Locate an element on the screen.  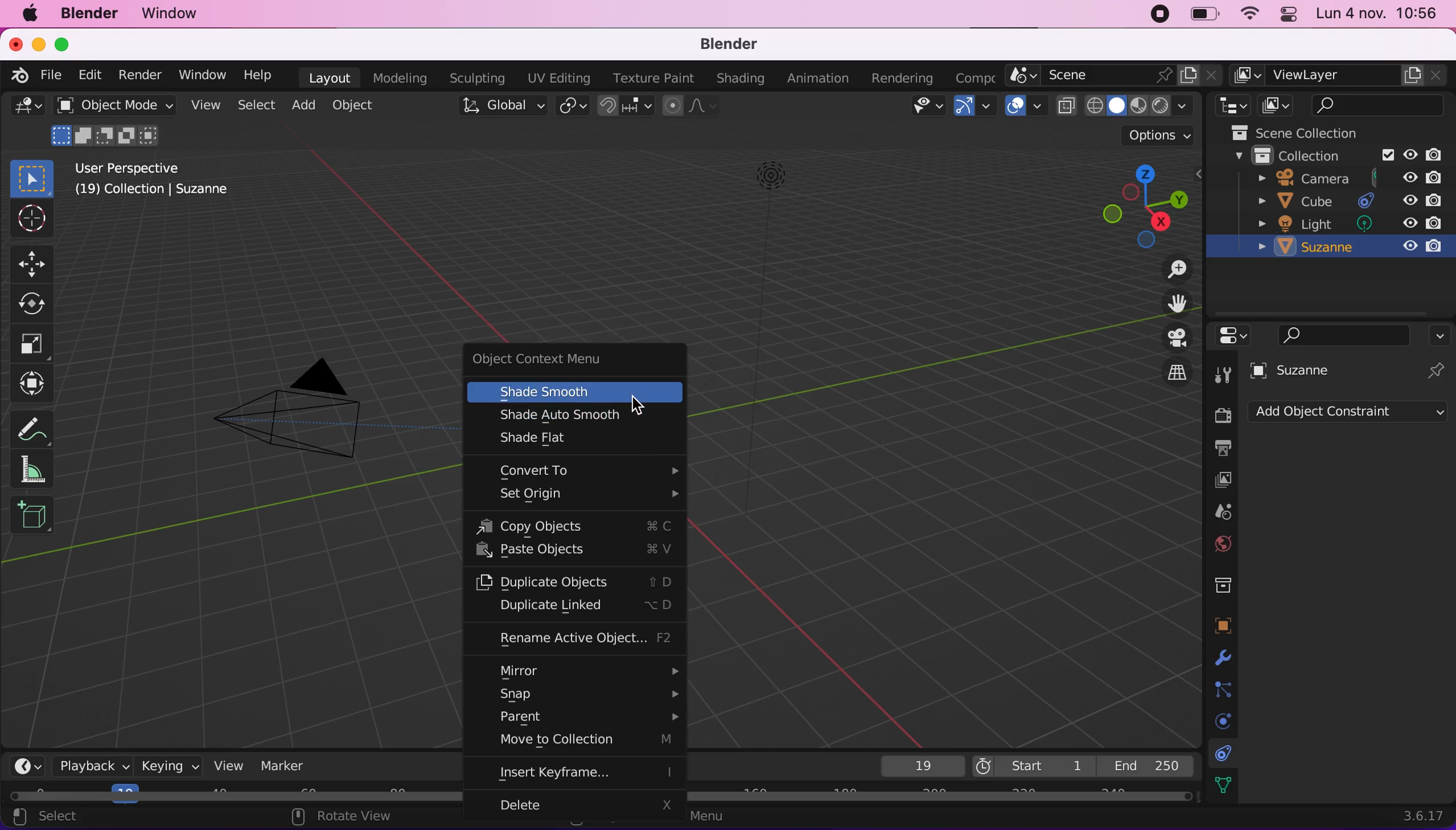
panel control is located at coordinates (1290, 14).